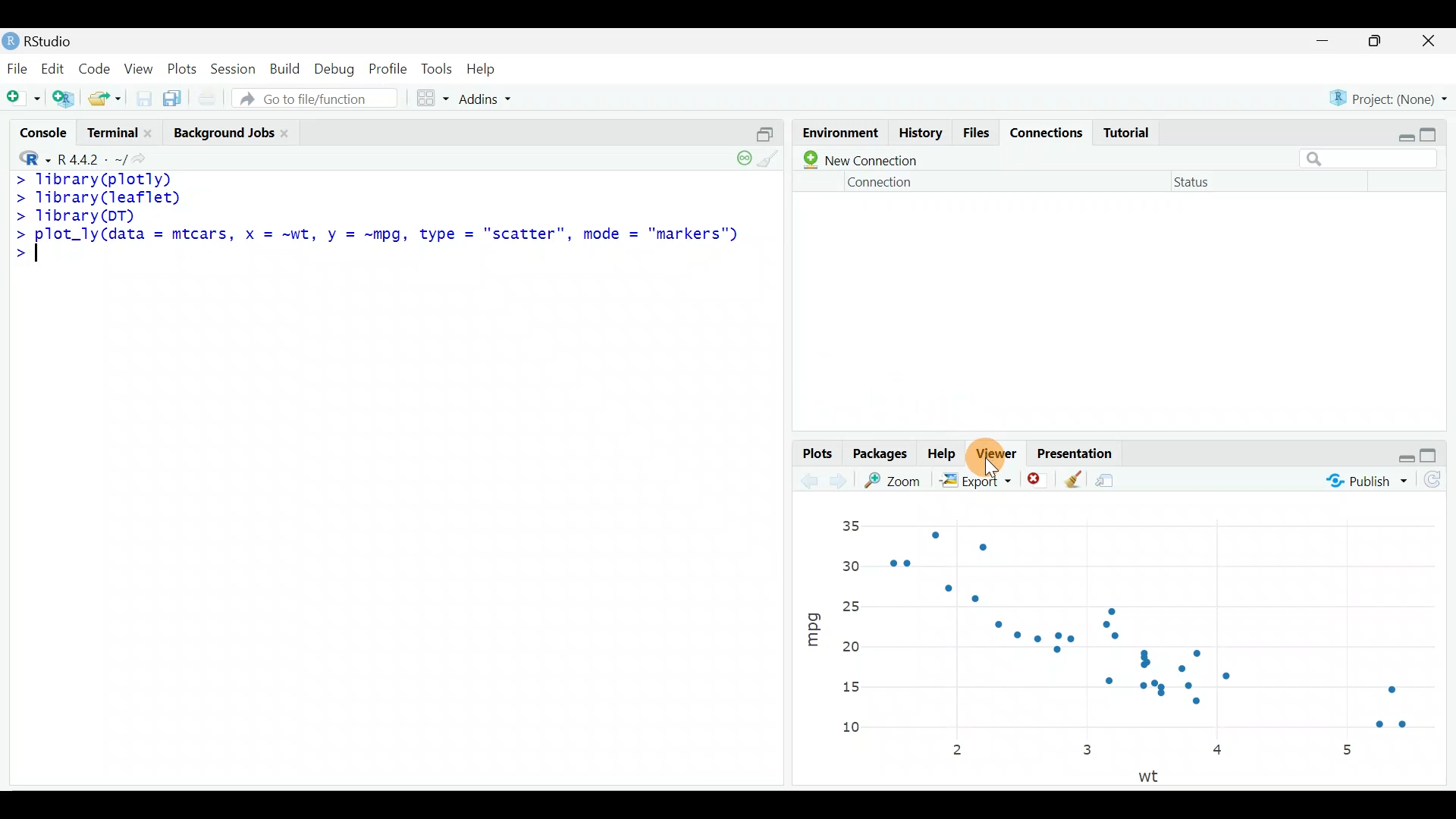 The image size is (1456, 819). What do you see at coordinates (233, 67) in the screenshot?
I see `Session` at bounding box center [233, 67].